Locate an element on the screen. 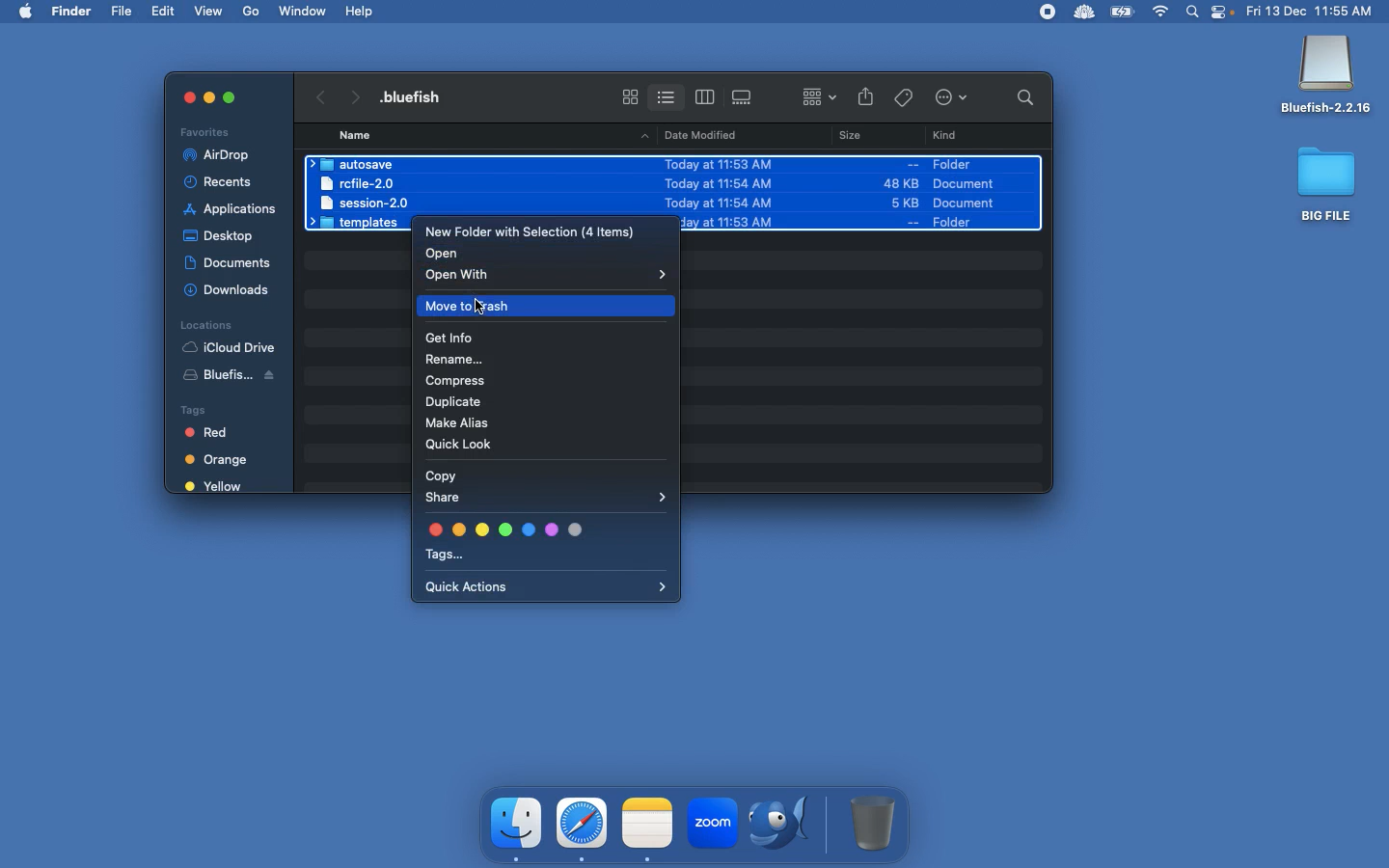 Image resolution: width=1389 pixels, height=868 pixels. Name is located at coordinates (419, 96).